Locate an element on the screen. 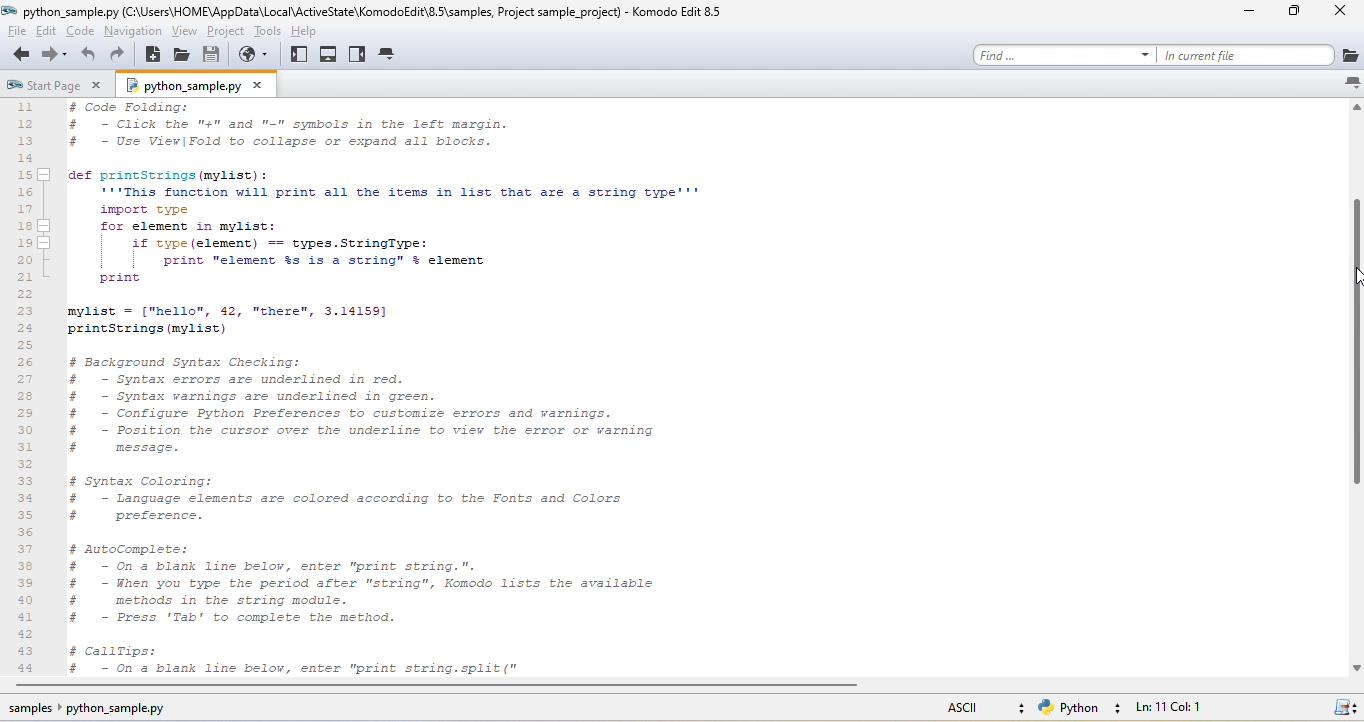 Image resolution: width=1364 pixels, height=722 pixels. back is located at coordinates (18, 55).